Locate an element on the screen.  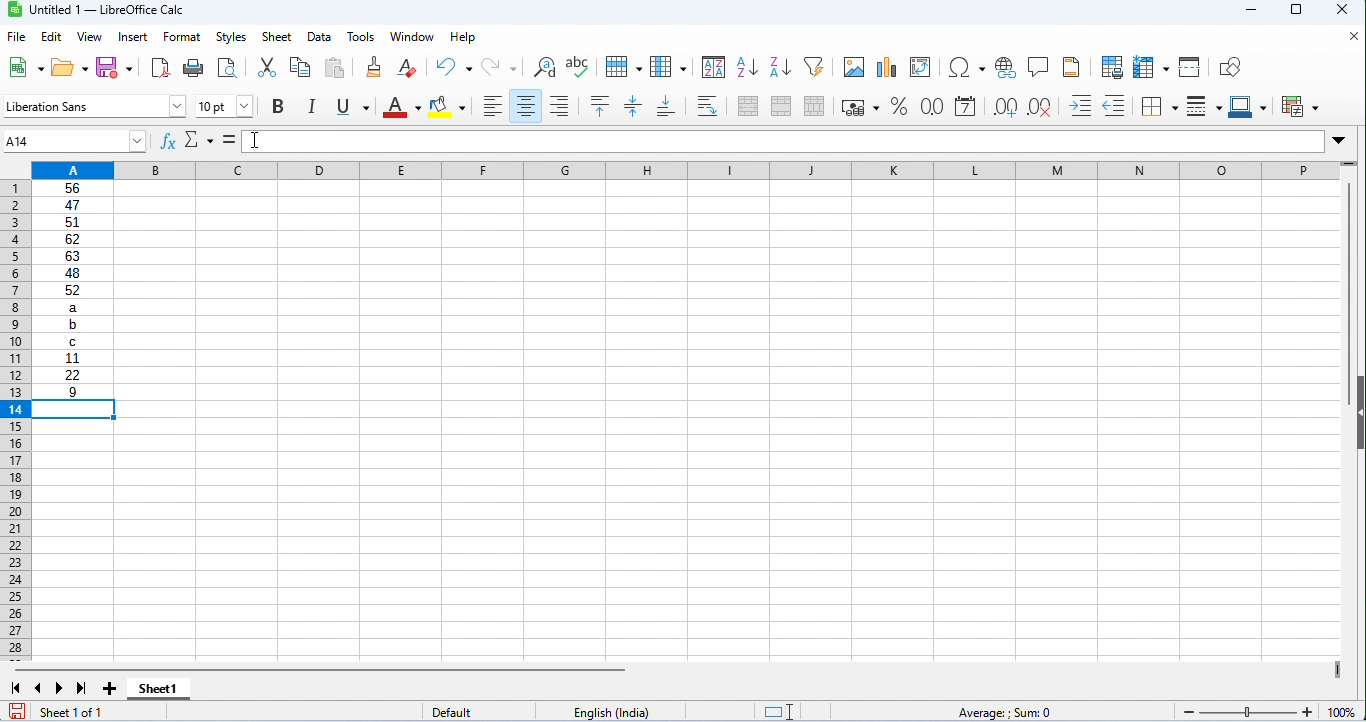
52 is located at coordinates (73, 290).